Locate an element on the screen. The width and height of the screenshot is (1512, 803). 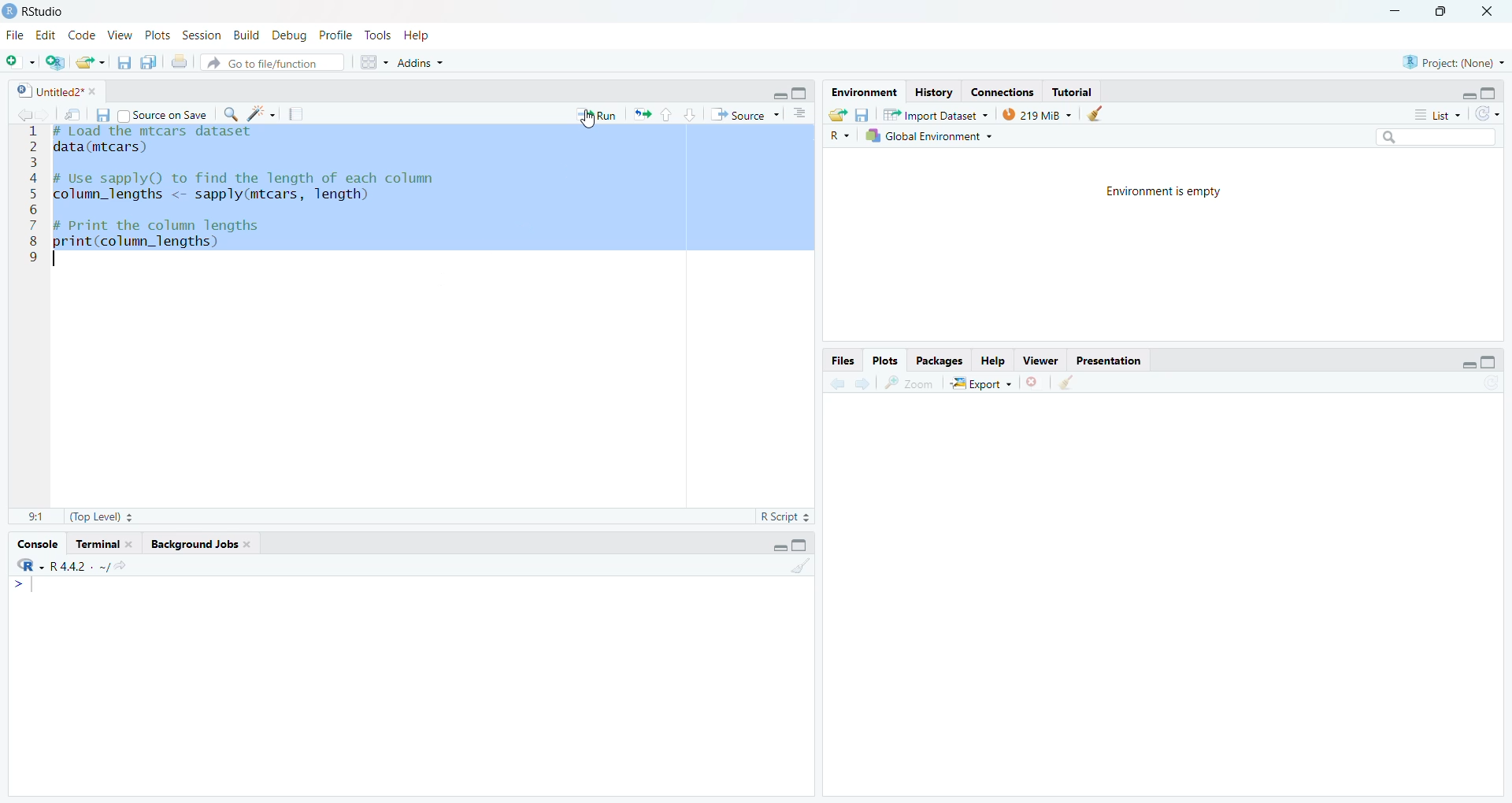
Environment is located at coordinates (865, 92).